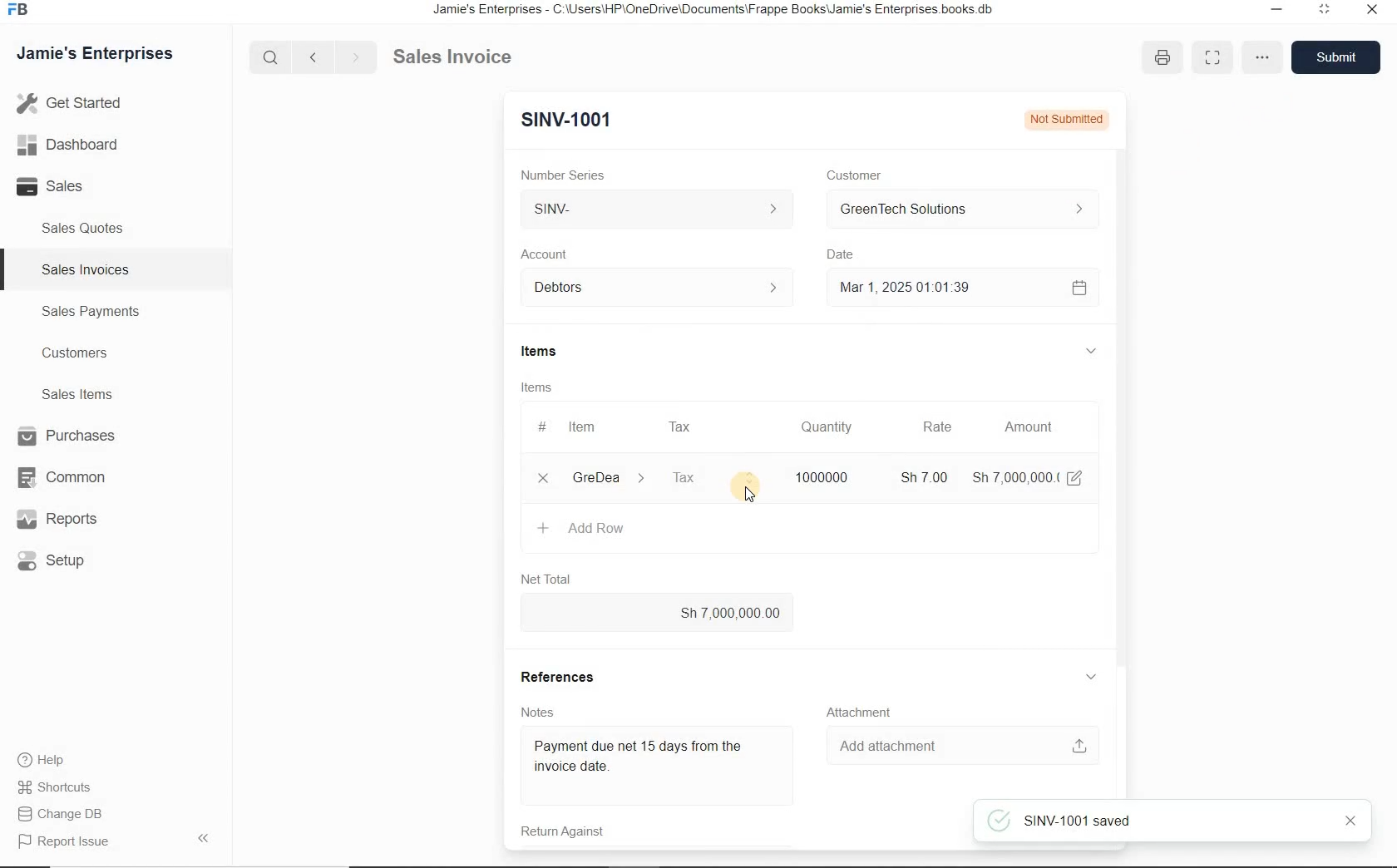 This screenshot has height=868, width=1397. I want to click on Sh 7,000,000, so click(1013, 477).